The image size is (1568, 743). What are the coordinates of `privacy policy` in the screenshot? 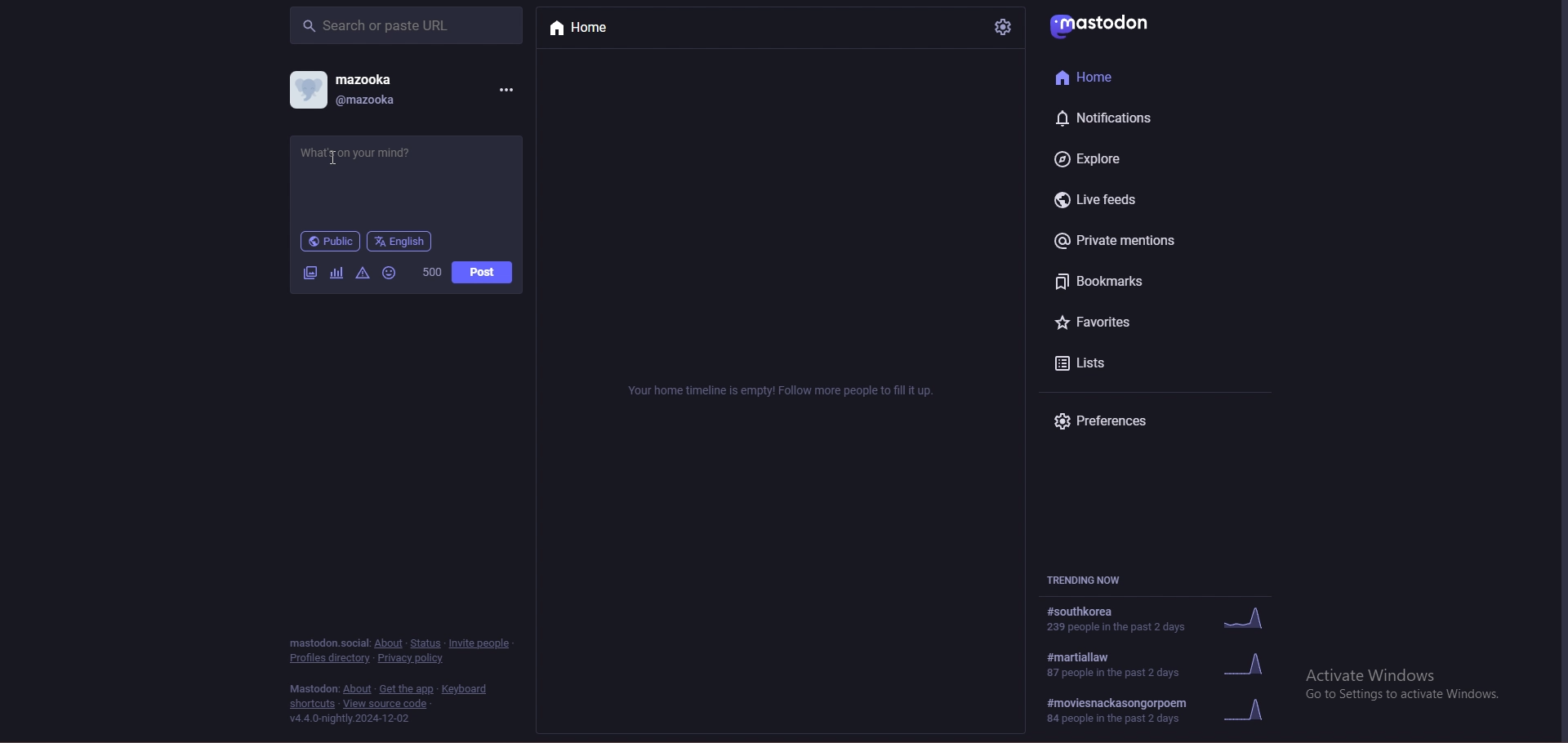 It's located at (413, 658).